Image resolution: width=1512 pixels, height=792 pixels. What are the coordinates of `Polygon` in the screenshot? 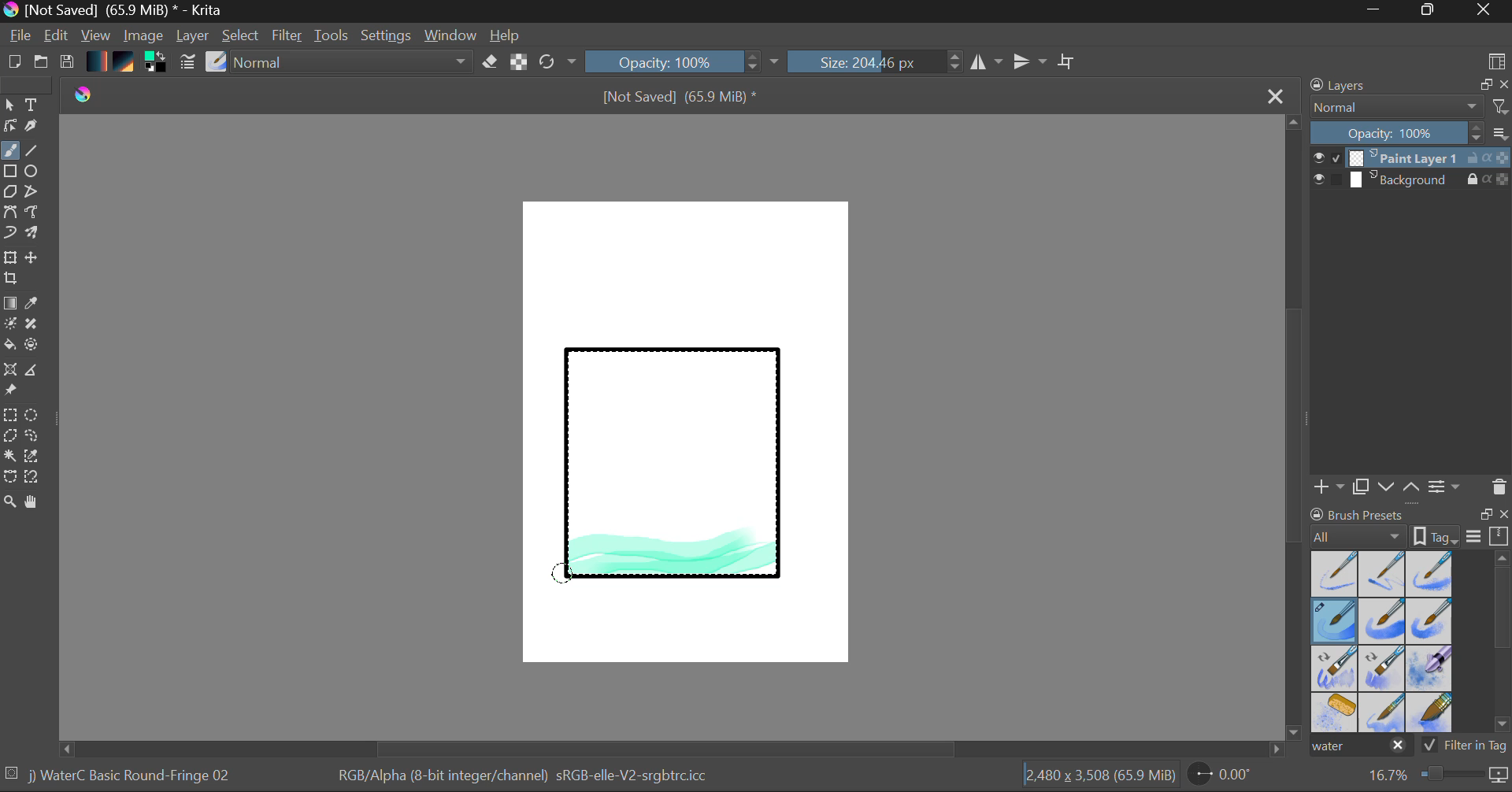 It's located at (9, 192).